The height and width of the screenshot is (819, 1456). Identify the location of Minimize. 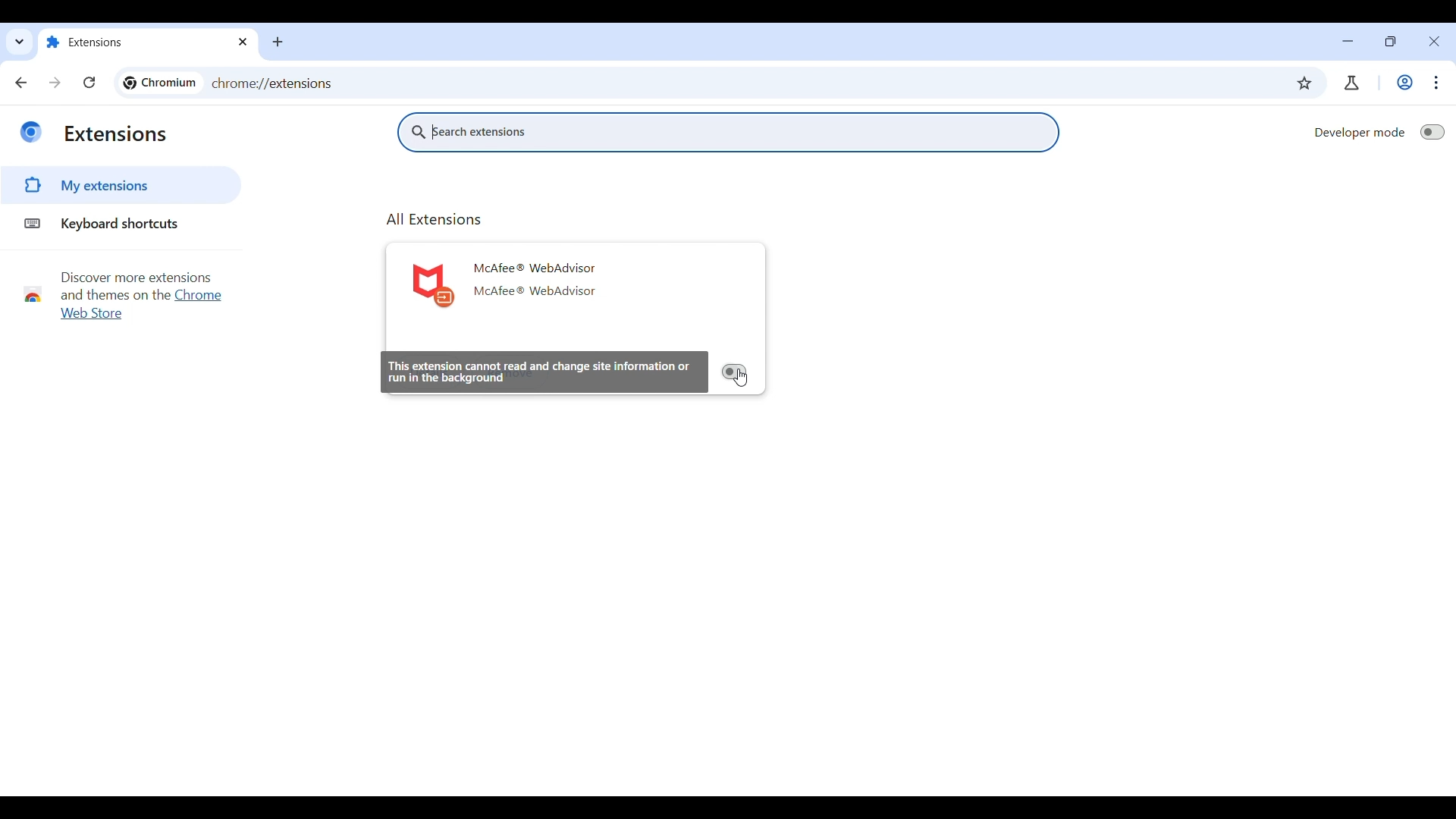
(1348, 41).